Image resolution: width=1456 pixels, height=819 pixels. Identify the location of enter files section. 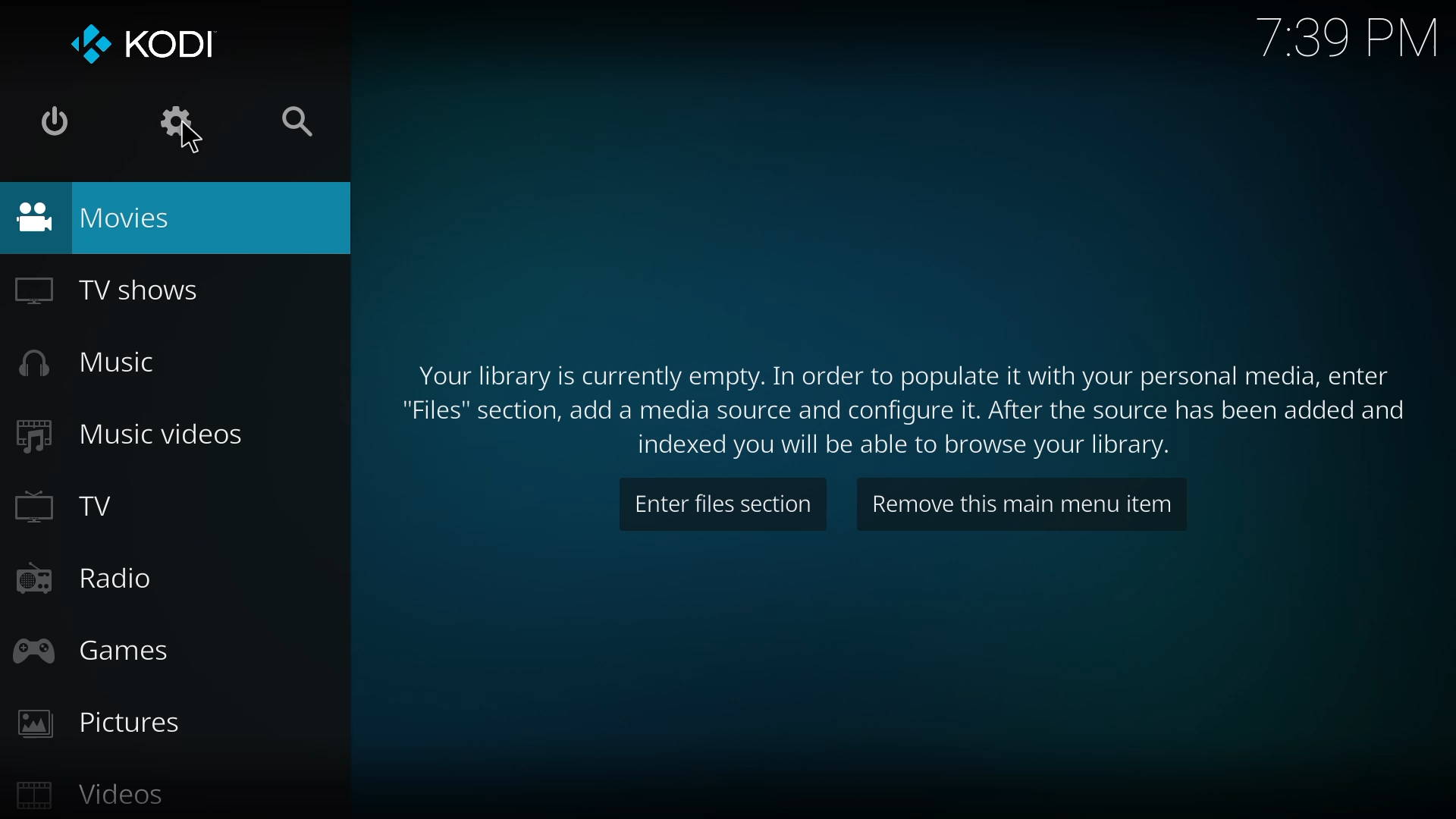
(724, 507).